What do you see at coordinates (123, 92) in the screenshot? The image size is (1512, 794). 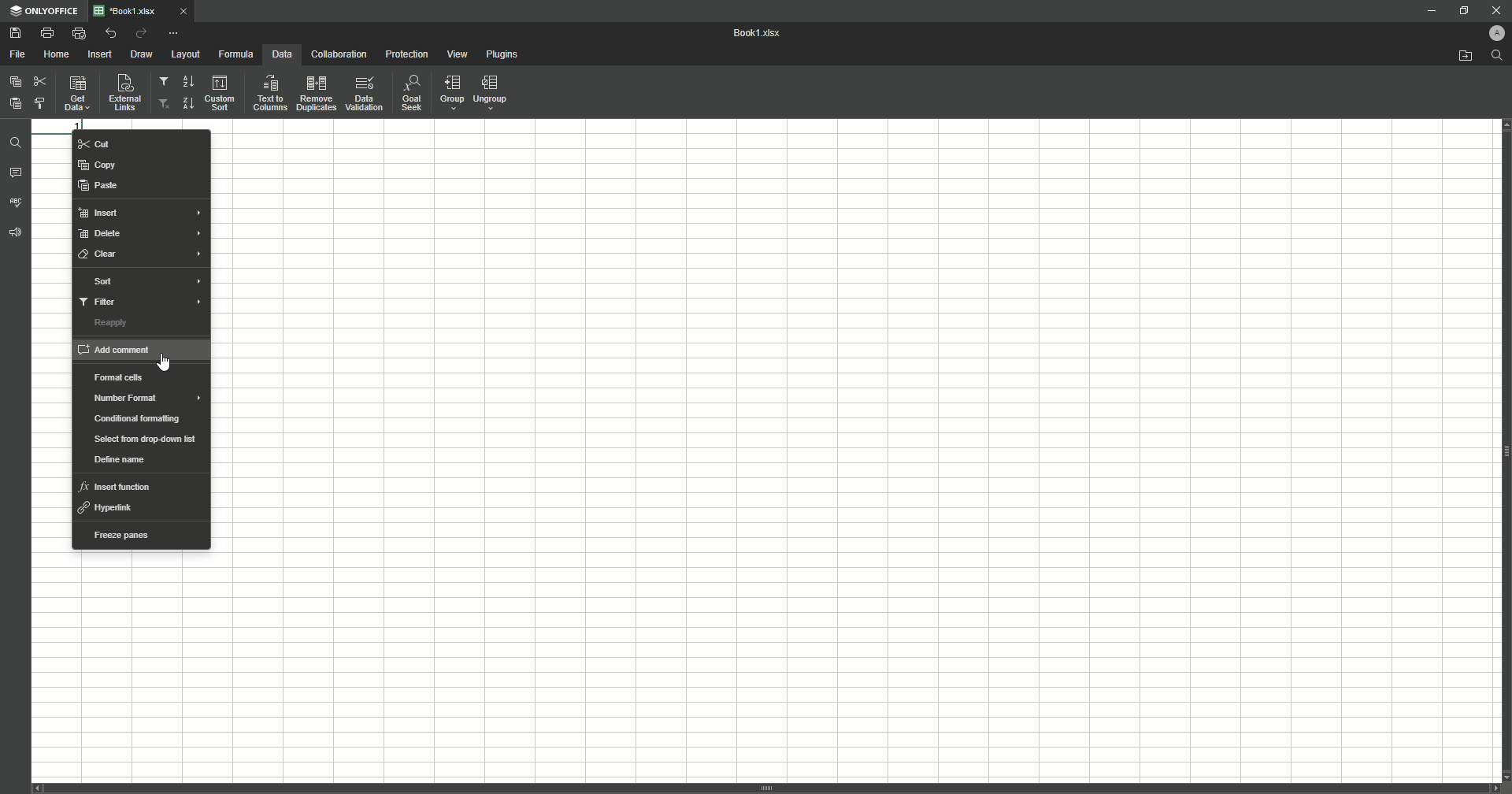 I see `External Links` at bounding box center [123, 92].